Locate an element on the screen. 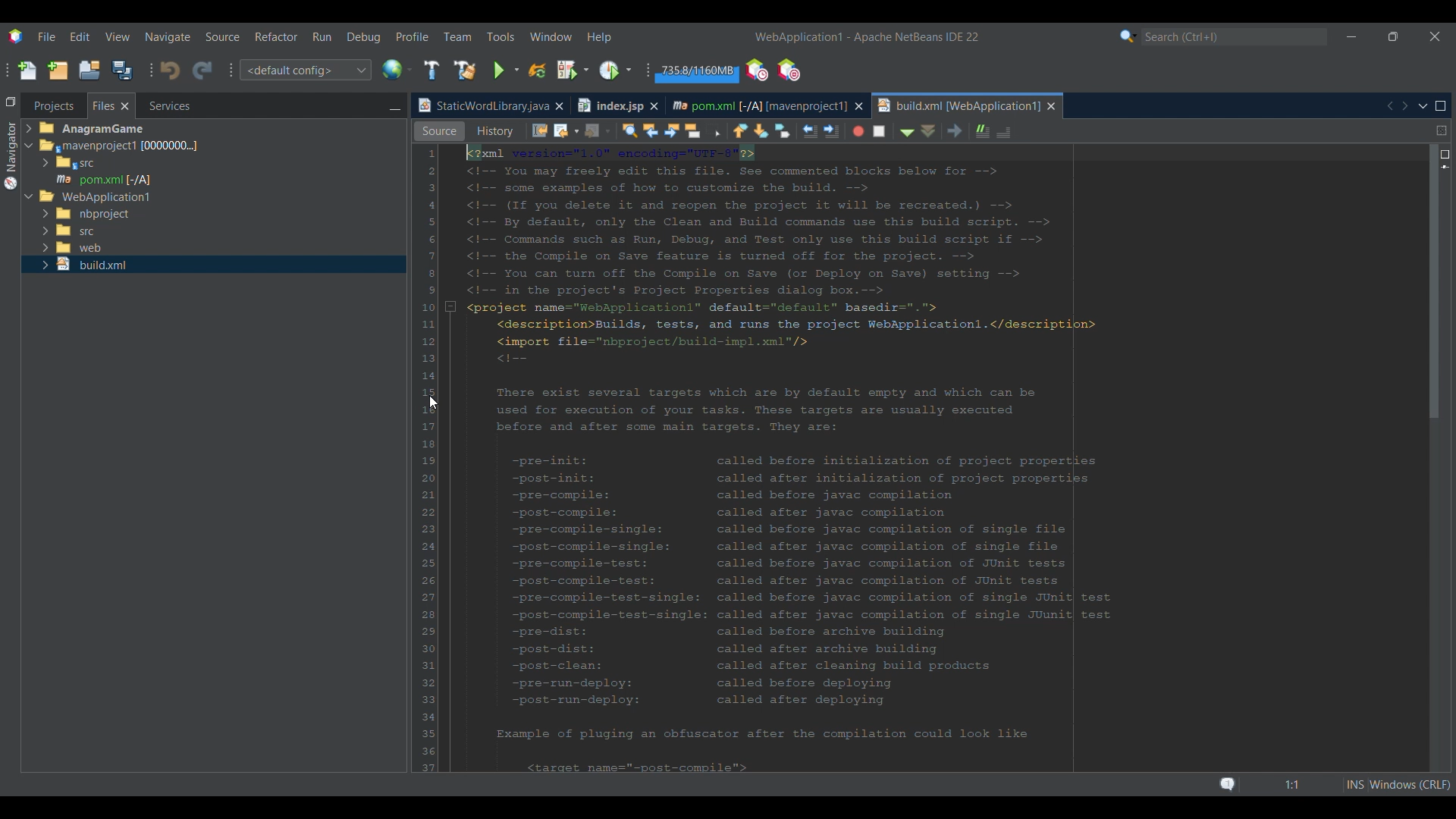 The image size is (1456, 819). View menu is located at coordinates (118, 37).